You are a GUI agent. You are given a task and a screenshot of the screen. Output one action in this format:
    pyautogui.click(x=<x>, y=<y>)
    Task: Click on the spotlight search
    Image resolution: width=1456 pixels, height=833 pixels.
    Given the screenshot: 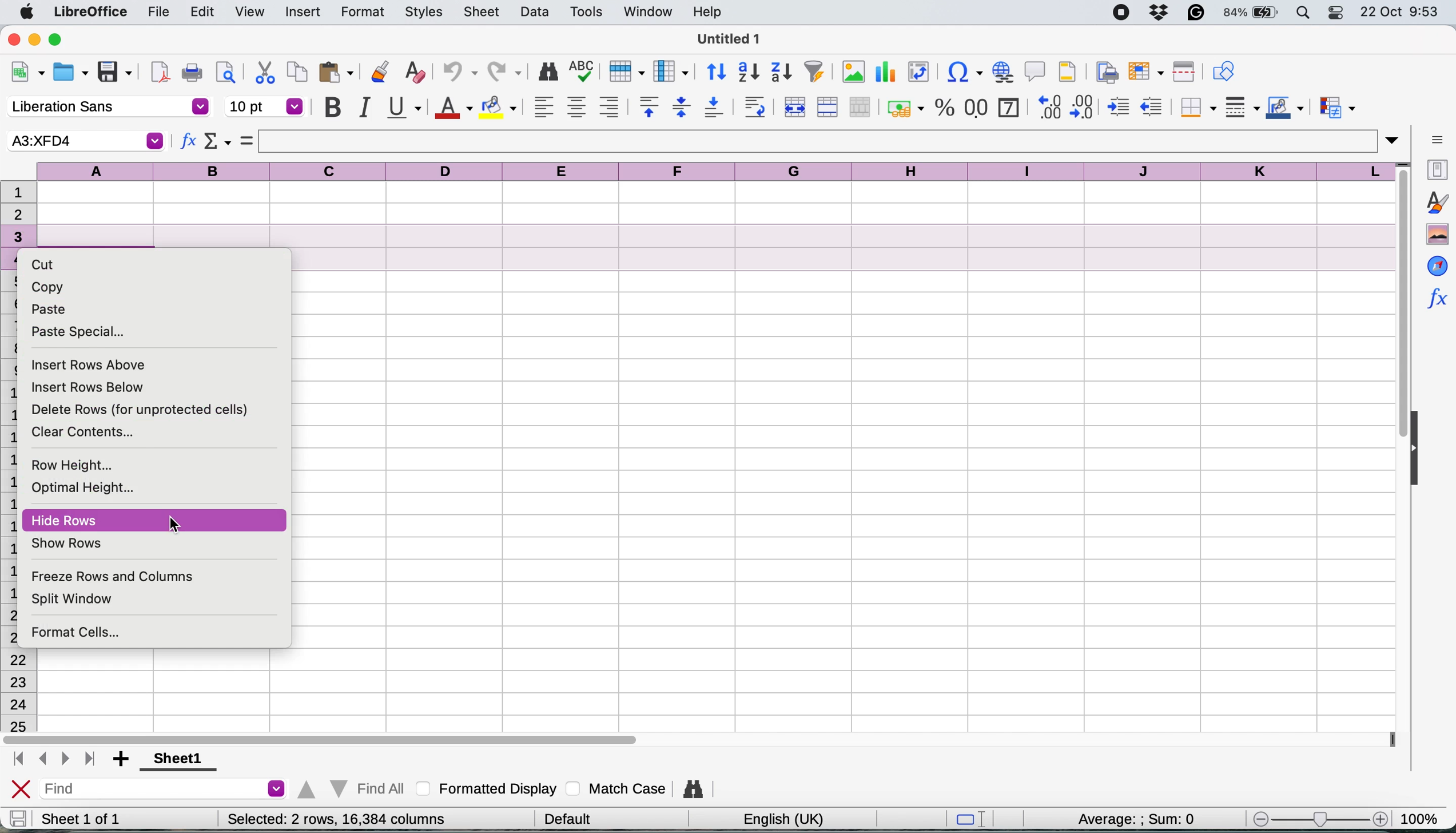 What is the action you would take?
    pyautogui.click(x=1304, y=13)
    